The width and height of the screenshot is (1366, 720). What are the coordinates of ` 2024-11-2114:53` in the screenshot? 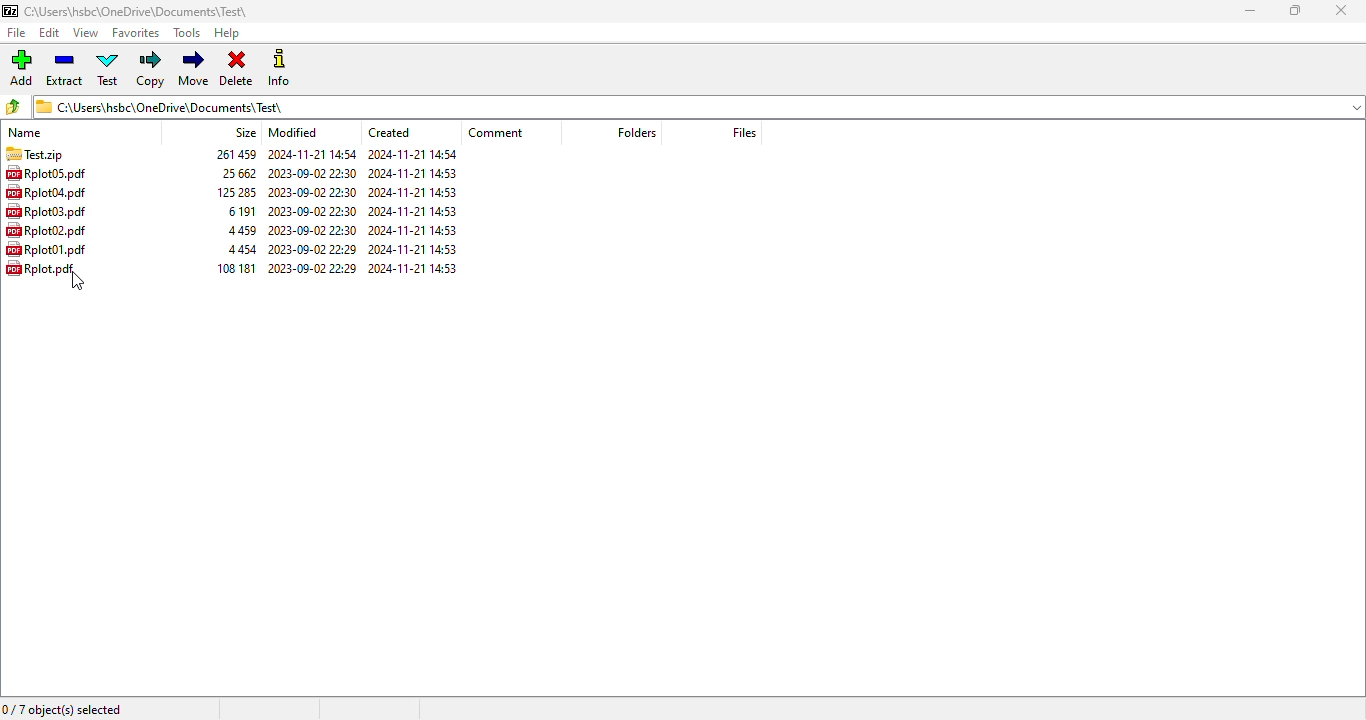 It's located at (412, 232).